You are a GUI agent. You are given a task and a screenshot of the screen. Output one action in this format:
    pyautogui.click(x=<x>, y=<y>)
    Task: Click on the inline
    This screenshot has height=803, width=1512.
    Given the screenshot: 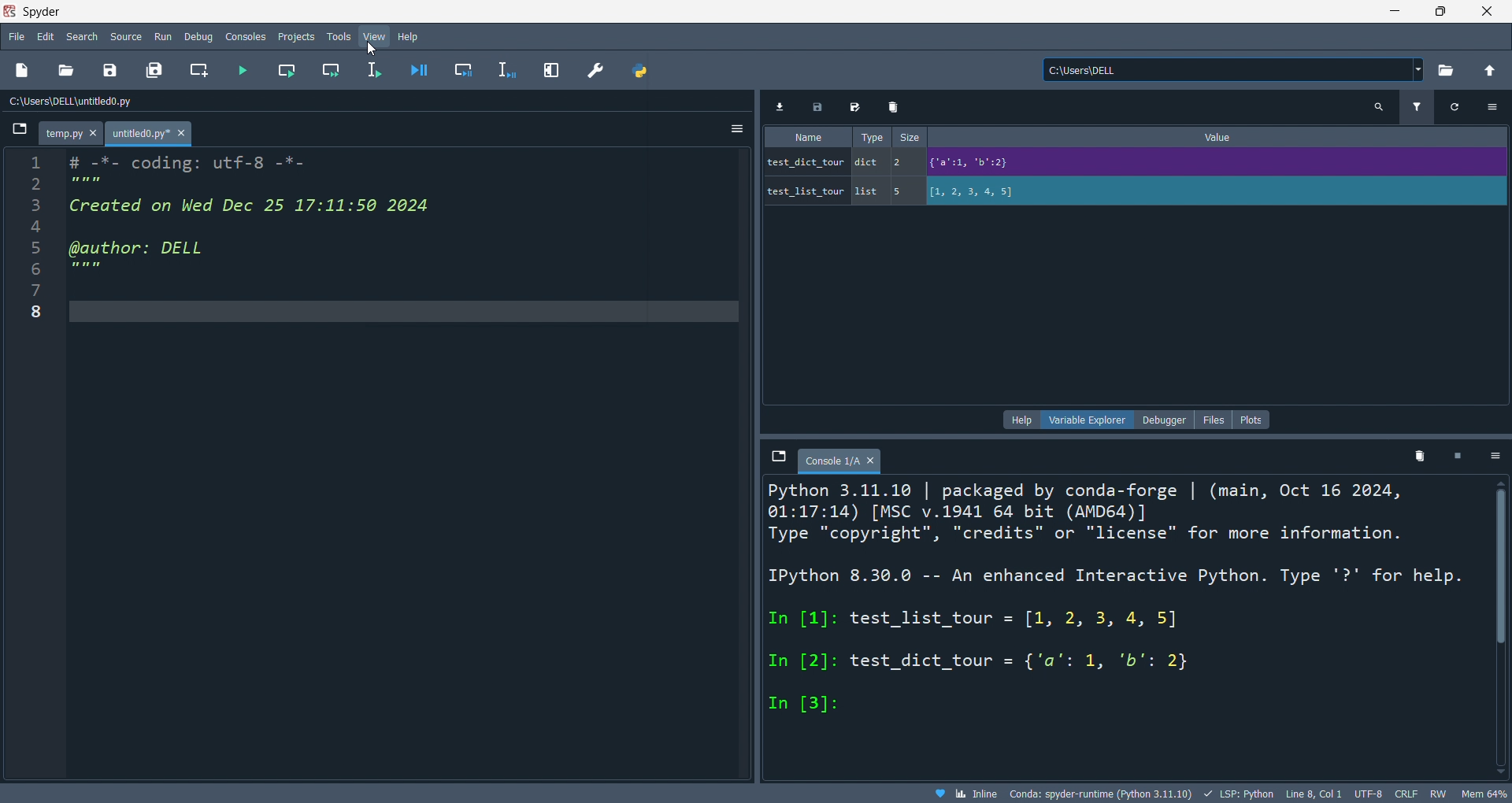 What is the action you would take?
    pyautogui.click(x=965, y=794)
    